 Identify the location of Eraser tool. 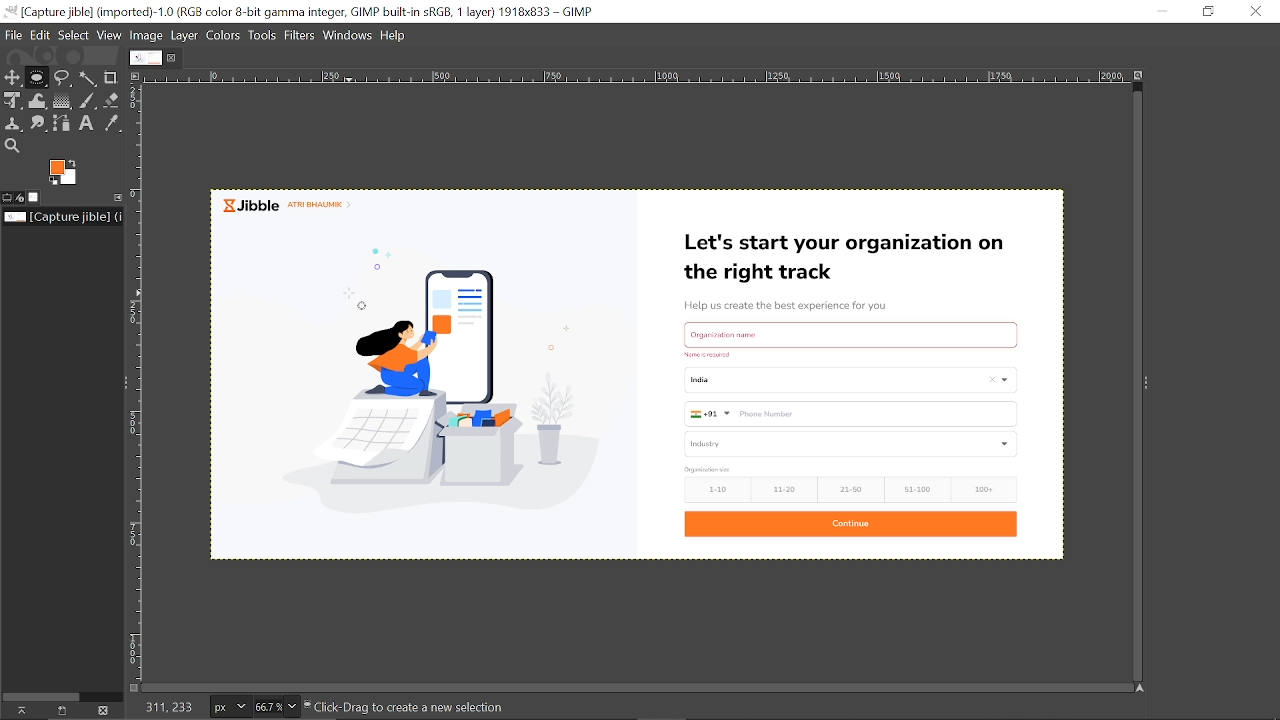
(114, 100).